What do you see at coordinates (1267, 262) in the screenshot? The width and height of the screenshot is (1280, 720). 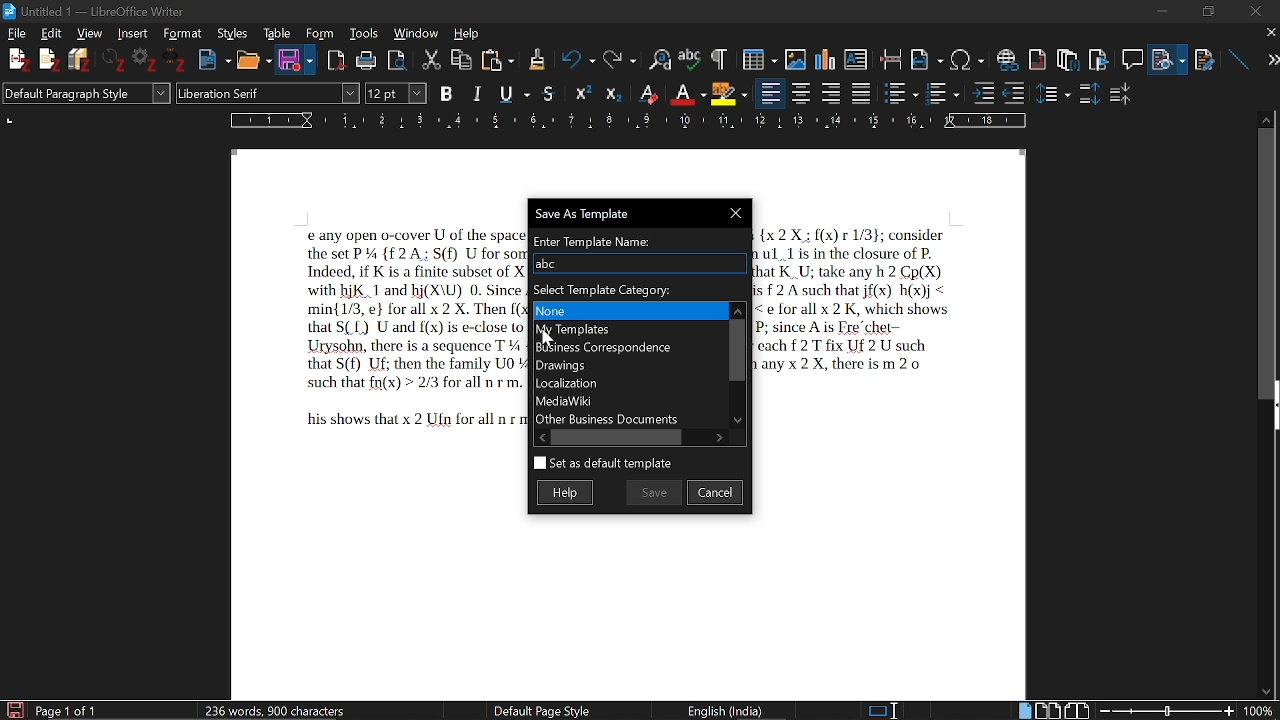 I see `vertical scroll bar` at bounding box center [1267, 262].